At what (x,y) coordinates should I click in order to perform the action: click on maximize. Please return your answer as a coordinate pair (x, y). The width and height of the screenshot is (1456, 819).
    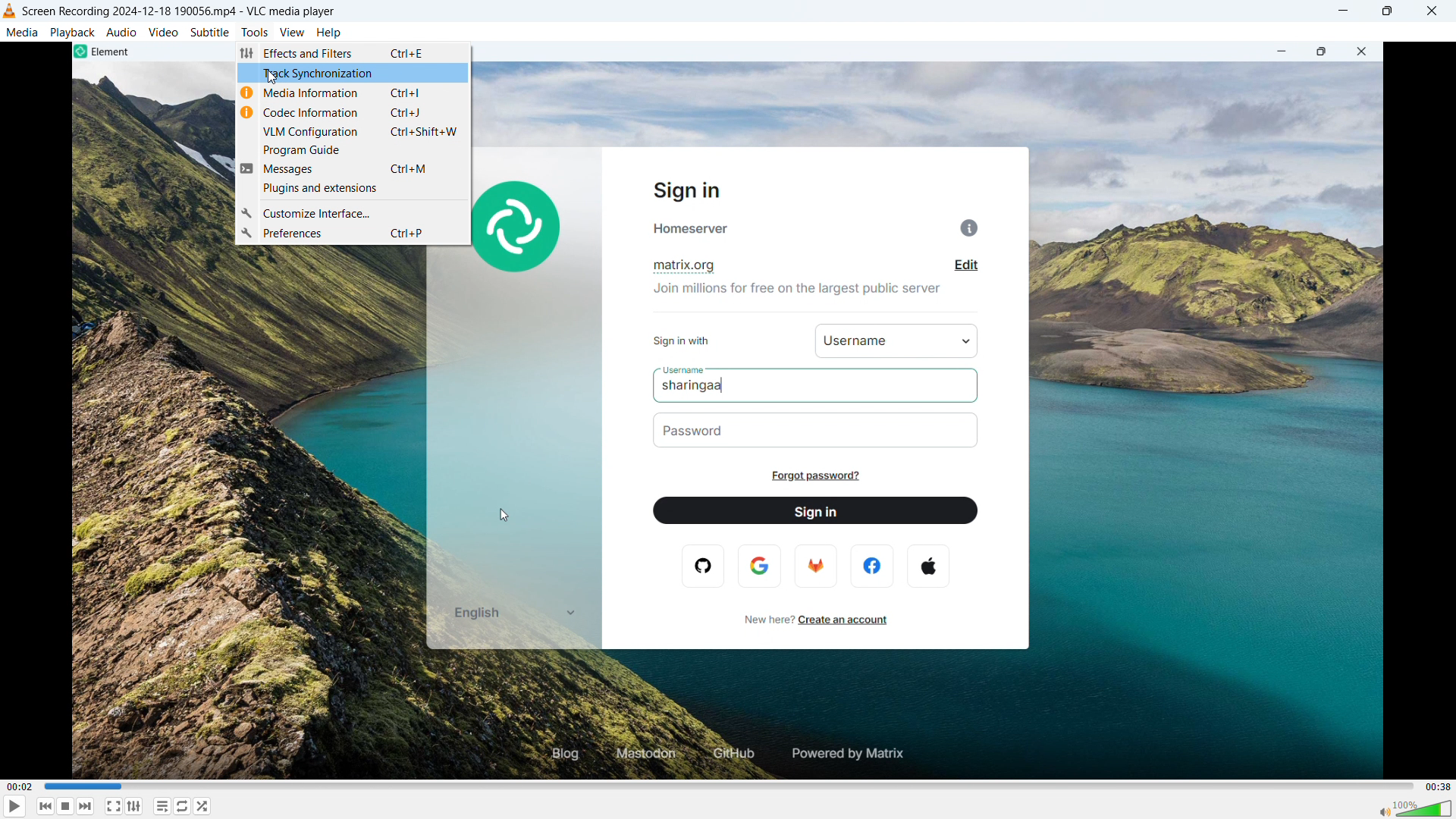
    Looking at the image, I should click on (1323, 55).